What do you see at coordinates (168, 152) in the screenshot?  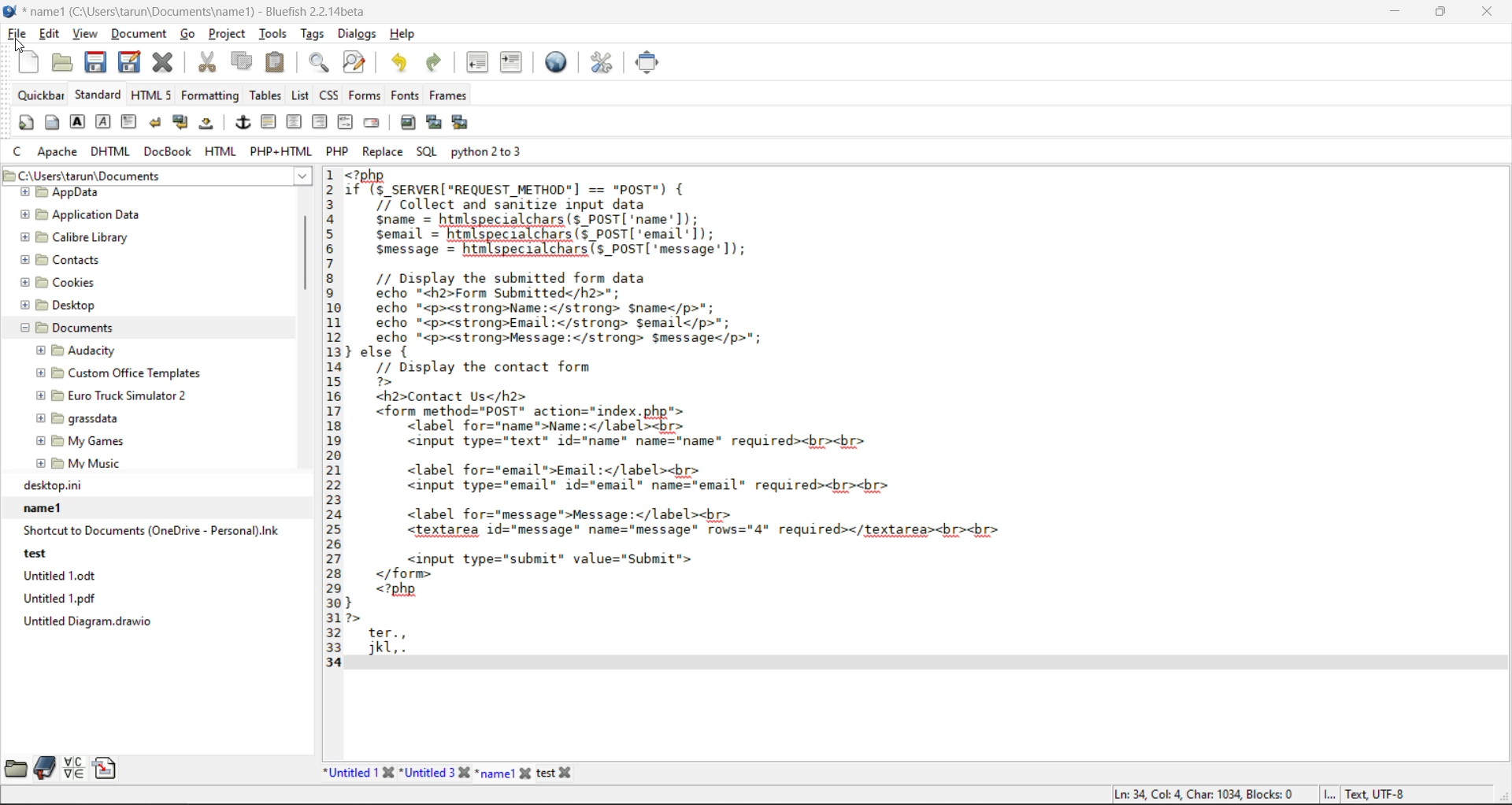 I see `docbook` at bounding box center [168, 152].